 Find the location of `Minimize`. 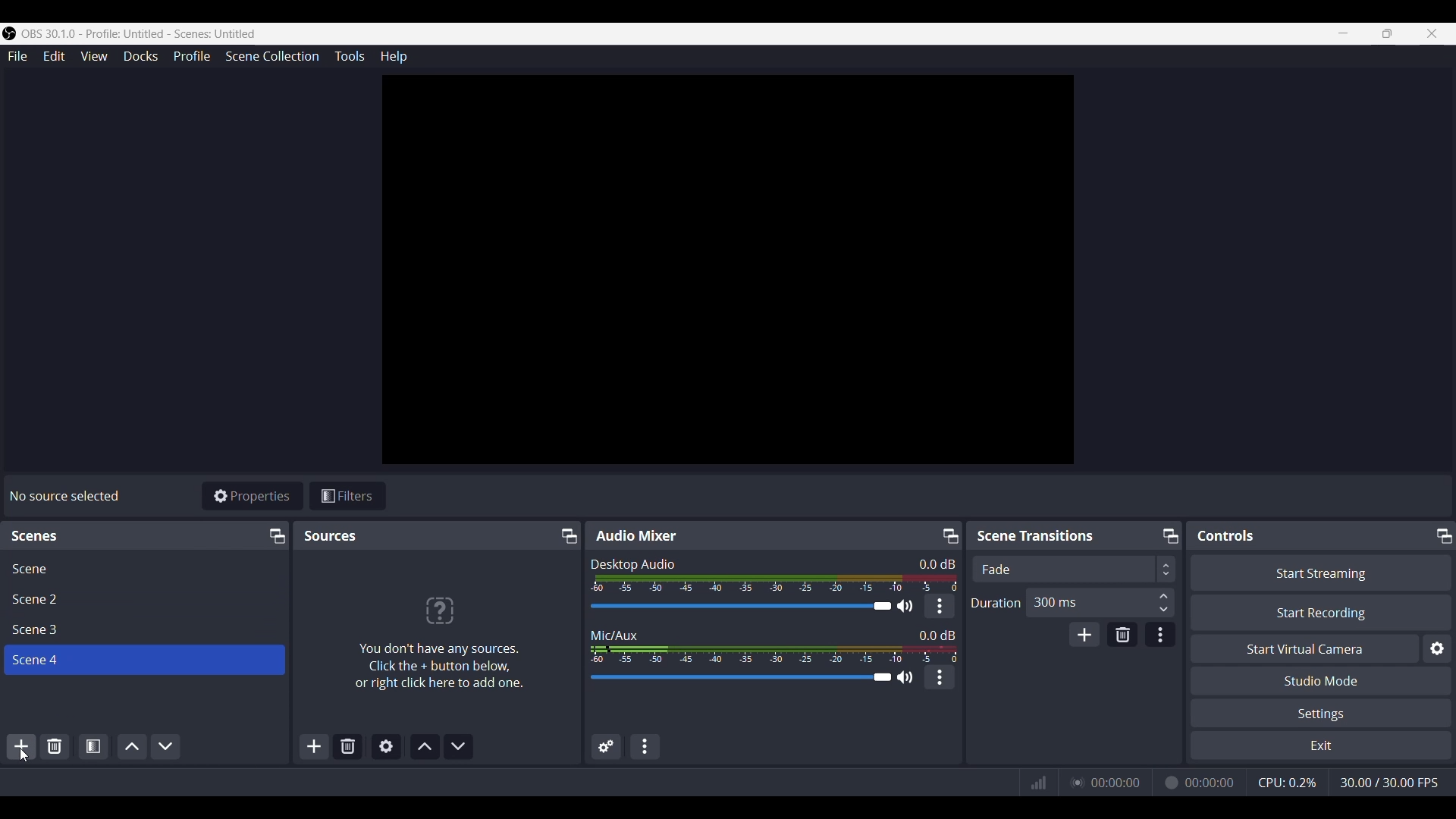

Minimize is located at coordinates (1341, 33).